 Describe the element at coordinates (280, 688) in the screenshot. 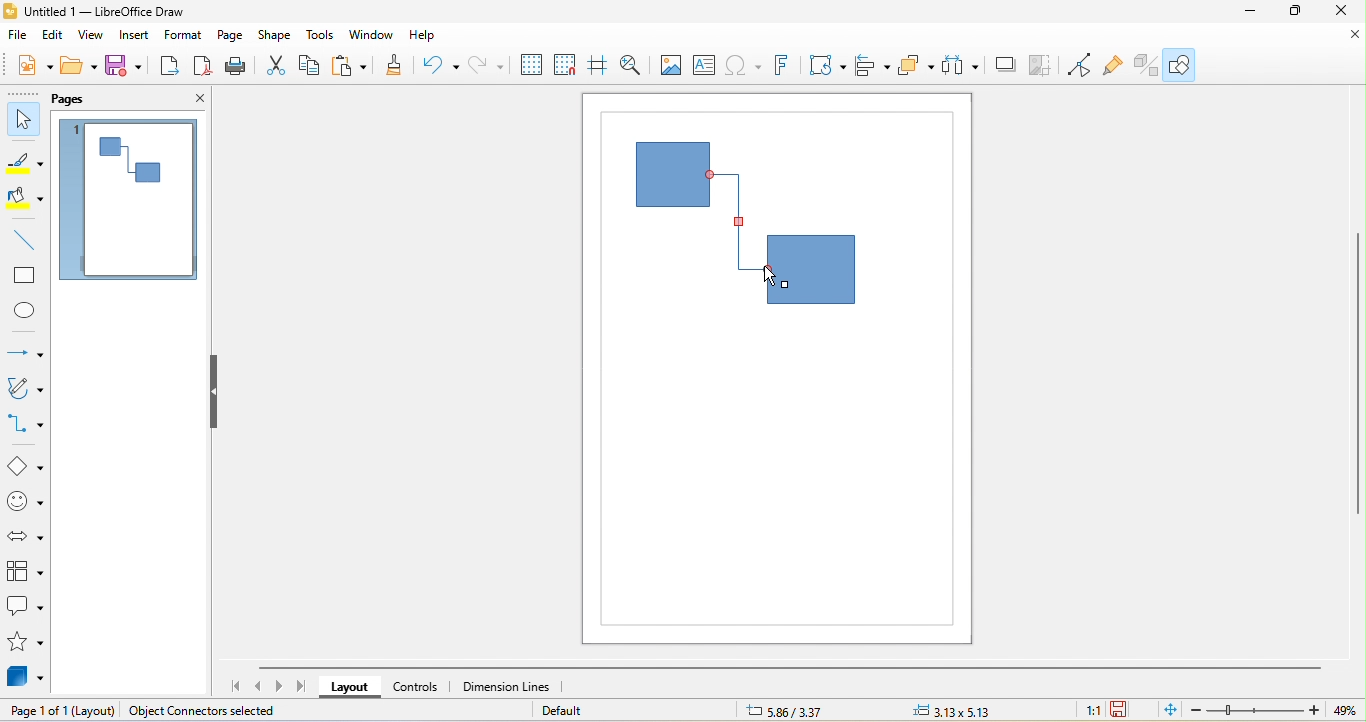

I see `scroll to next page` at that location.